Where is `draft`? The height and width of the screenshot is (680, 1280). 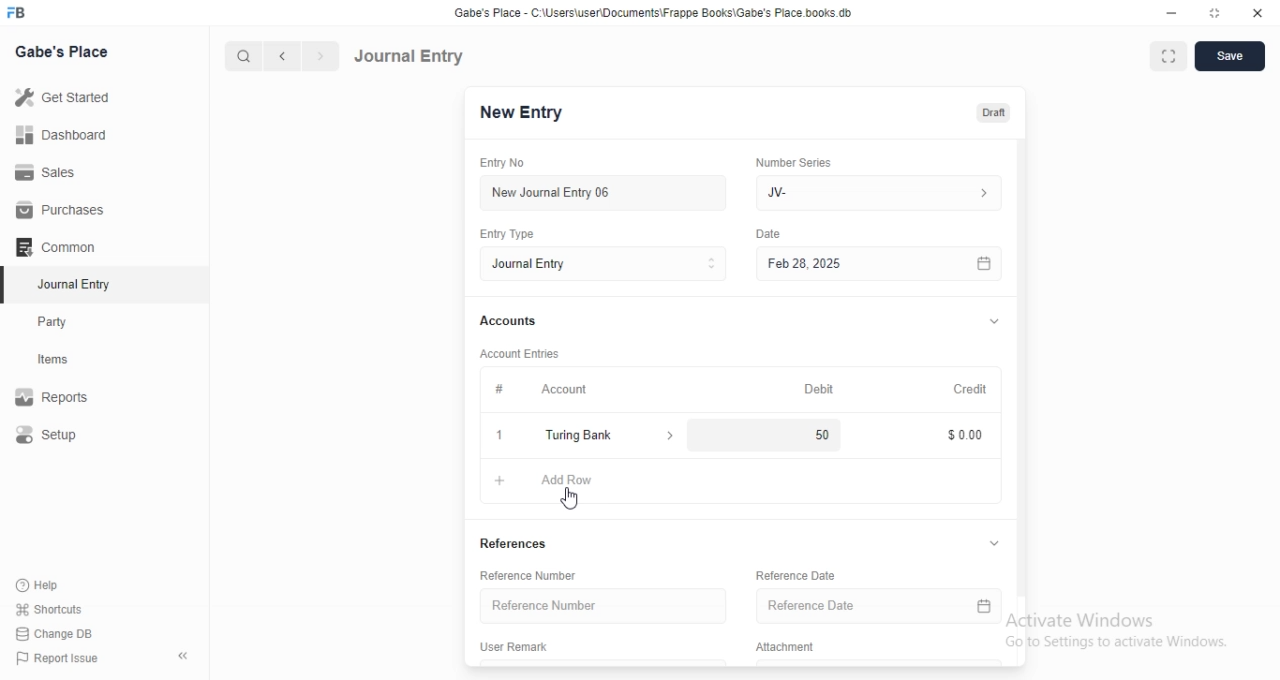
draft is located at coordinates (993, 114).